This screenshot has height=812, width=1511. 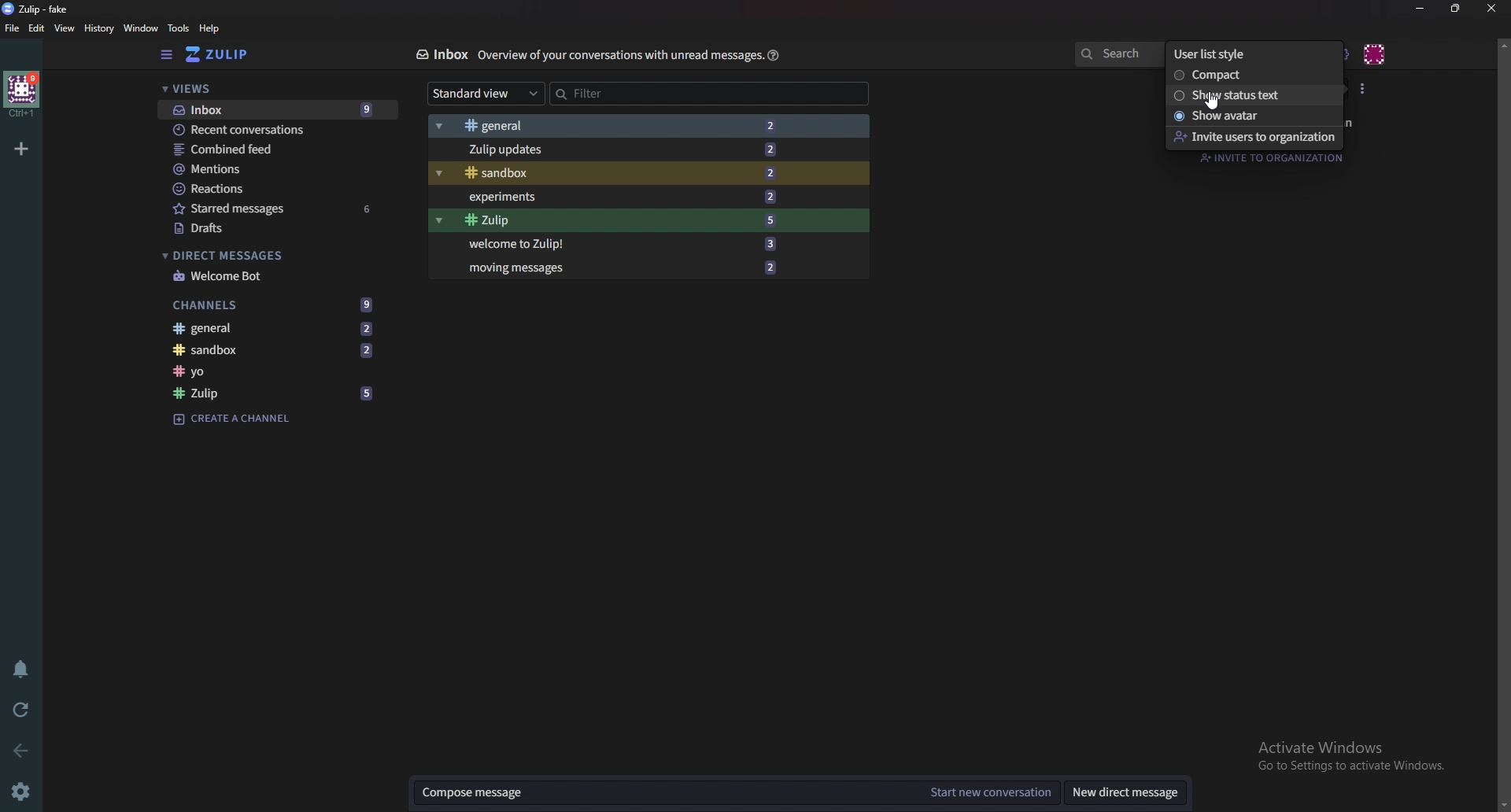 I want to click on Cursor, so click(x=1211, y=103).